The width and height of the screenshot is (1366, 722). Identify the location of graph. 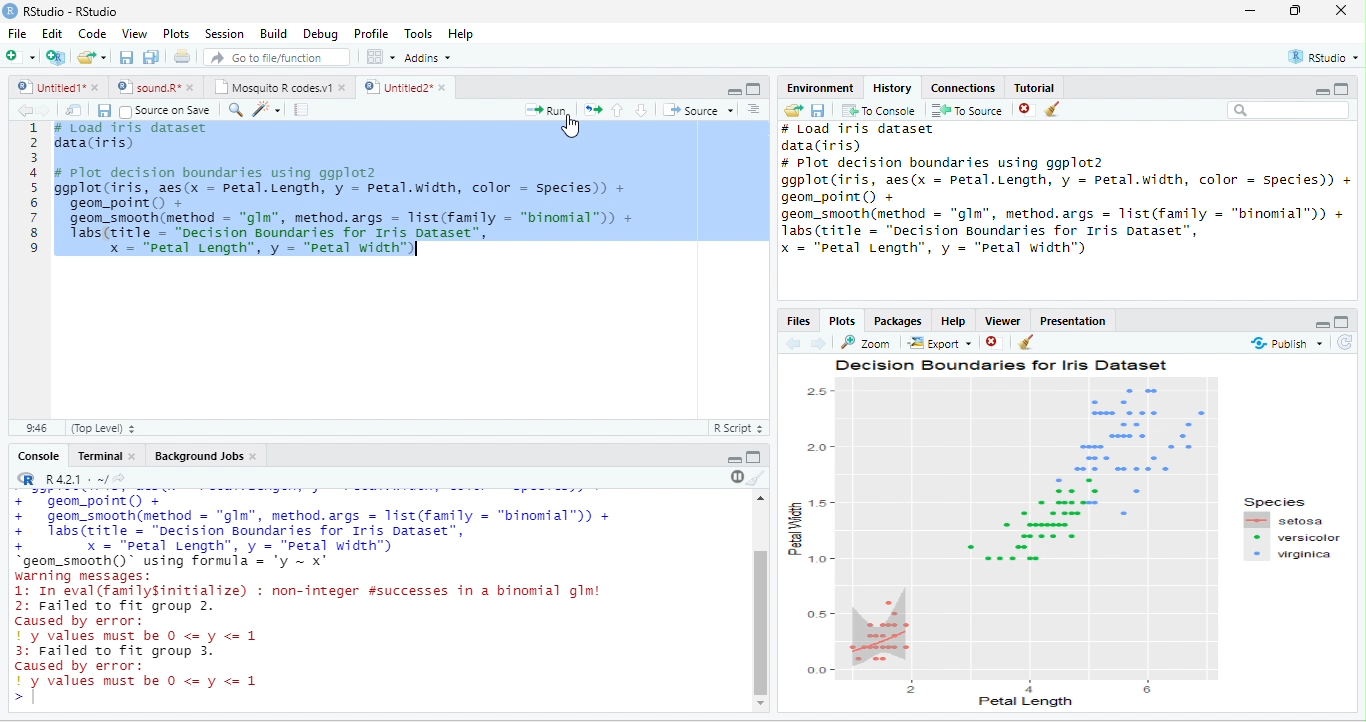
(1024, 528).